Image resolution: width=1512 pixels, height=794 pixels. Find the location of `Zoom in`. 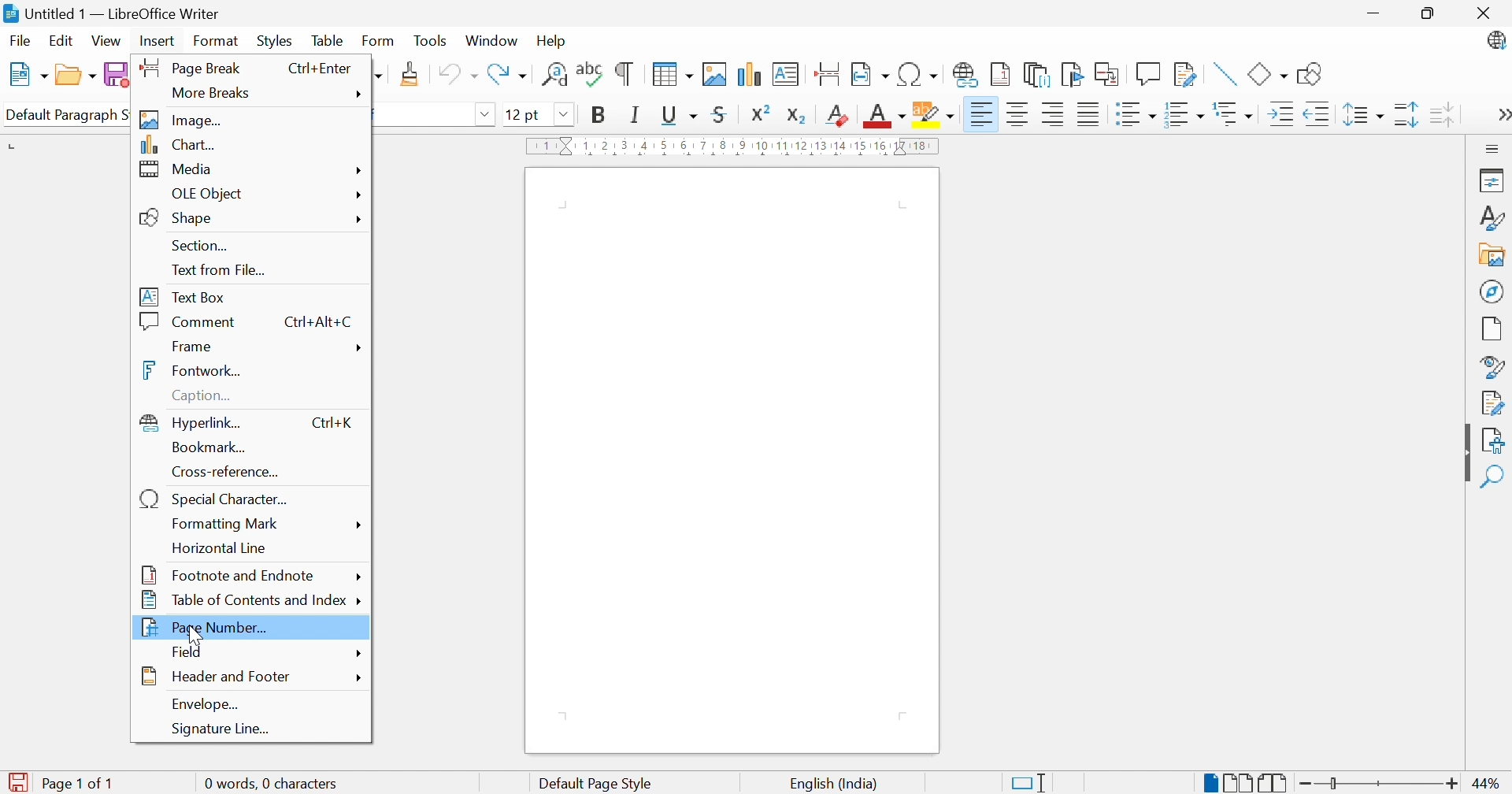

Zoom in is located at coordinates (1451, 785).